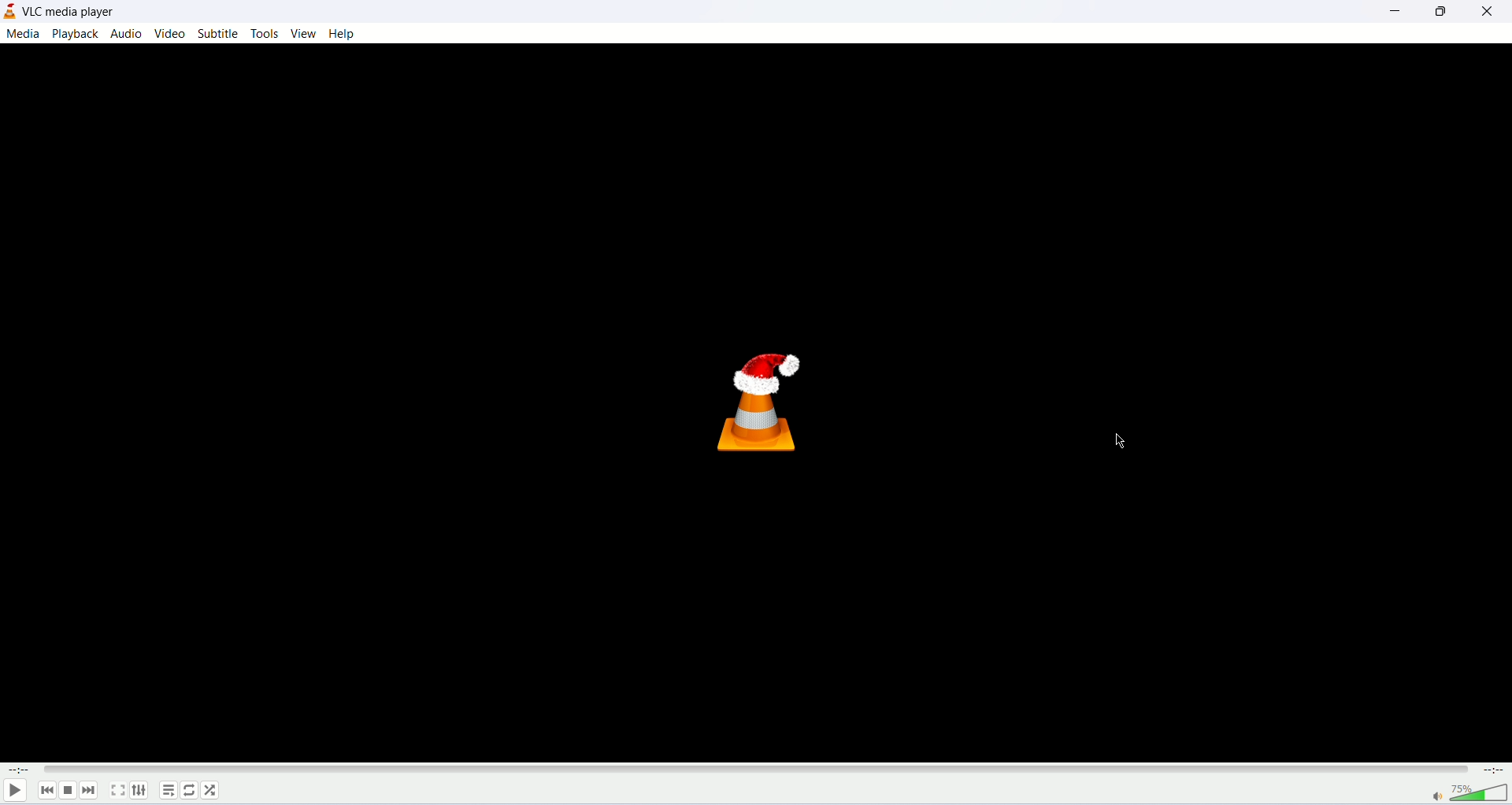 The width and height of the screenshot is (1512, 805). What do you see at coordinates (1440, 14) in the screenshot?
I see `maximize` at bounding box center [1440, 14].